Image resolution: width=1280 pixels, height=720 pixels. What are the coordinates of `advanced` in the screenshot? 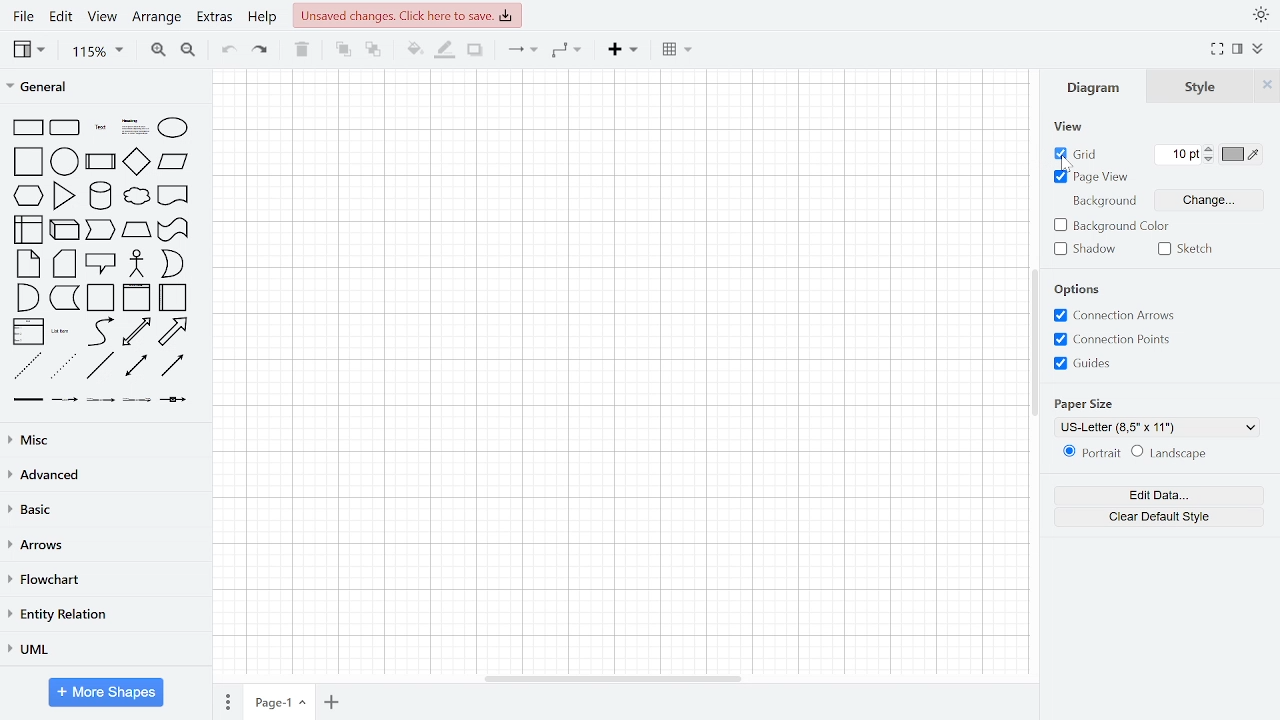 It's located at (102, 475).